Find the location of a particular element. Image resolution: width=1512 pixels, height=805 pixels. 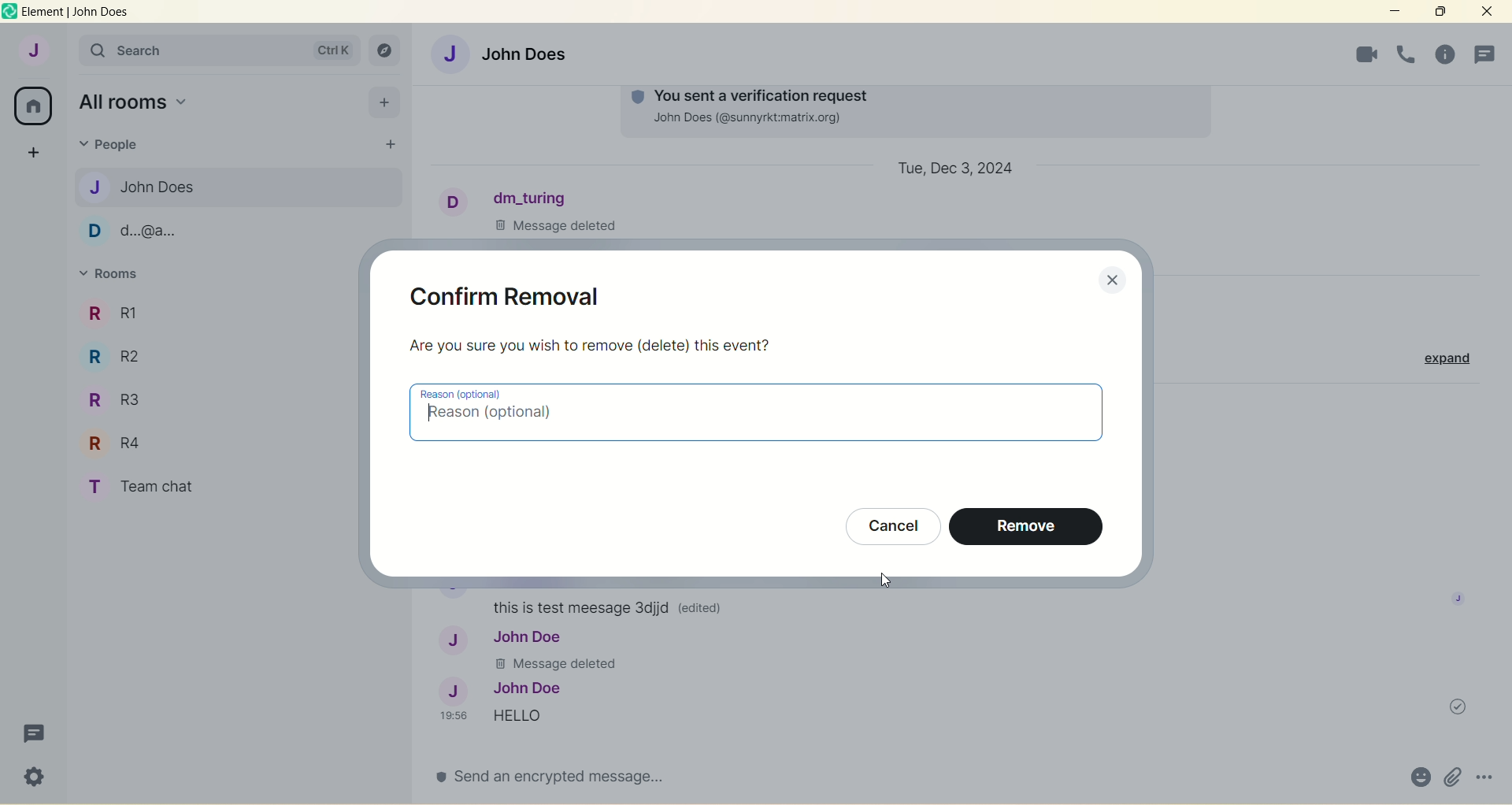

dm_turing is located at coordinates (512, 198).